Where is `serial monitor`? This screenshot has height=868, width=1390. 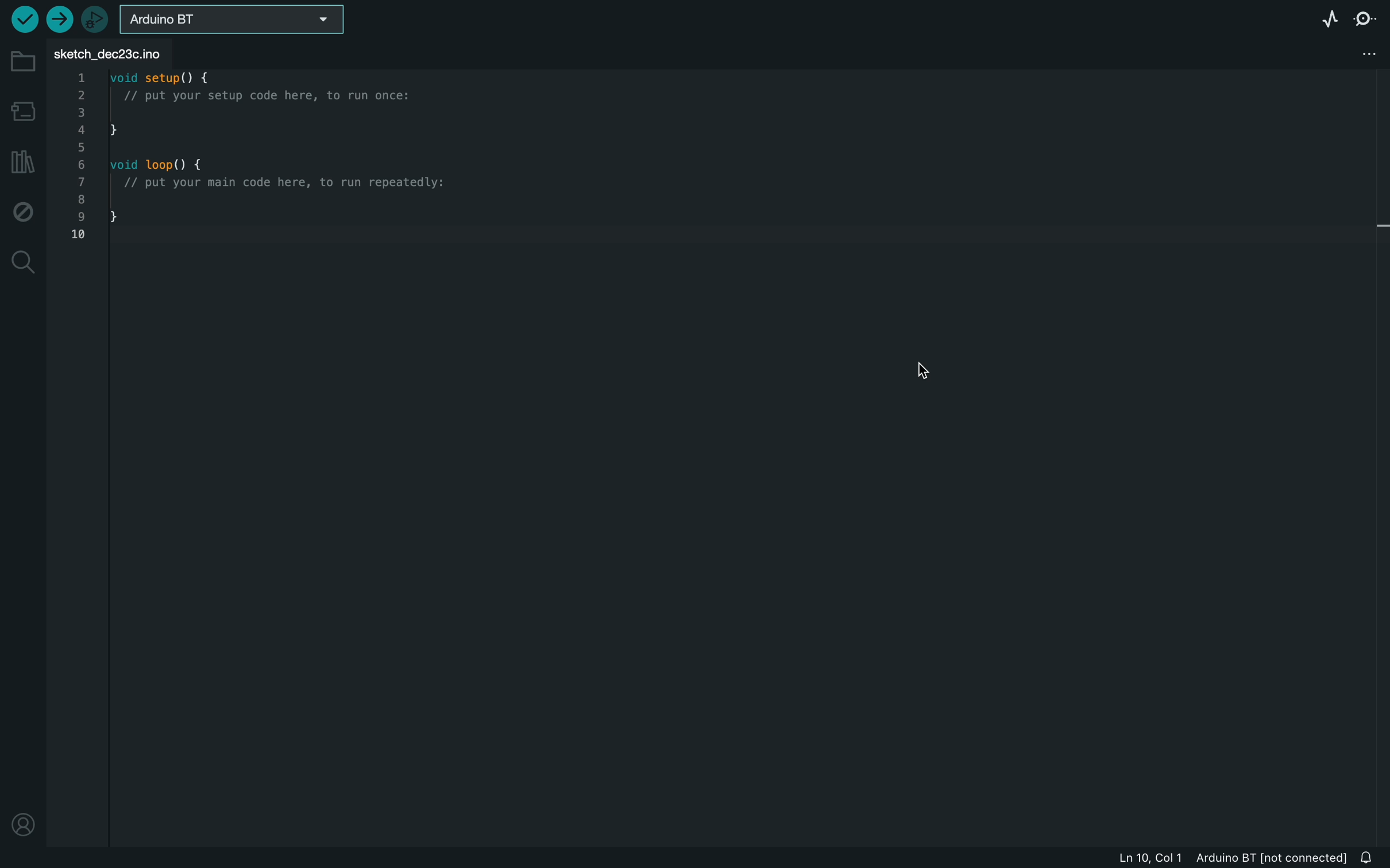 serial monitor is located at coordinates (1363, 17).